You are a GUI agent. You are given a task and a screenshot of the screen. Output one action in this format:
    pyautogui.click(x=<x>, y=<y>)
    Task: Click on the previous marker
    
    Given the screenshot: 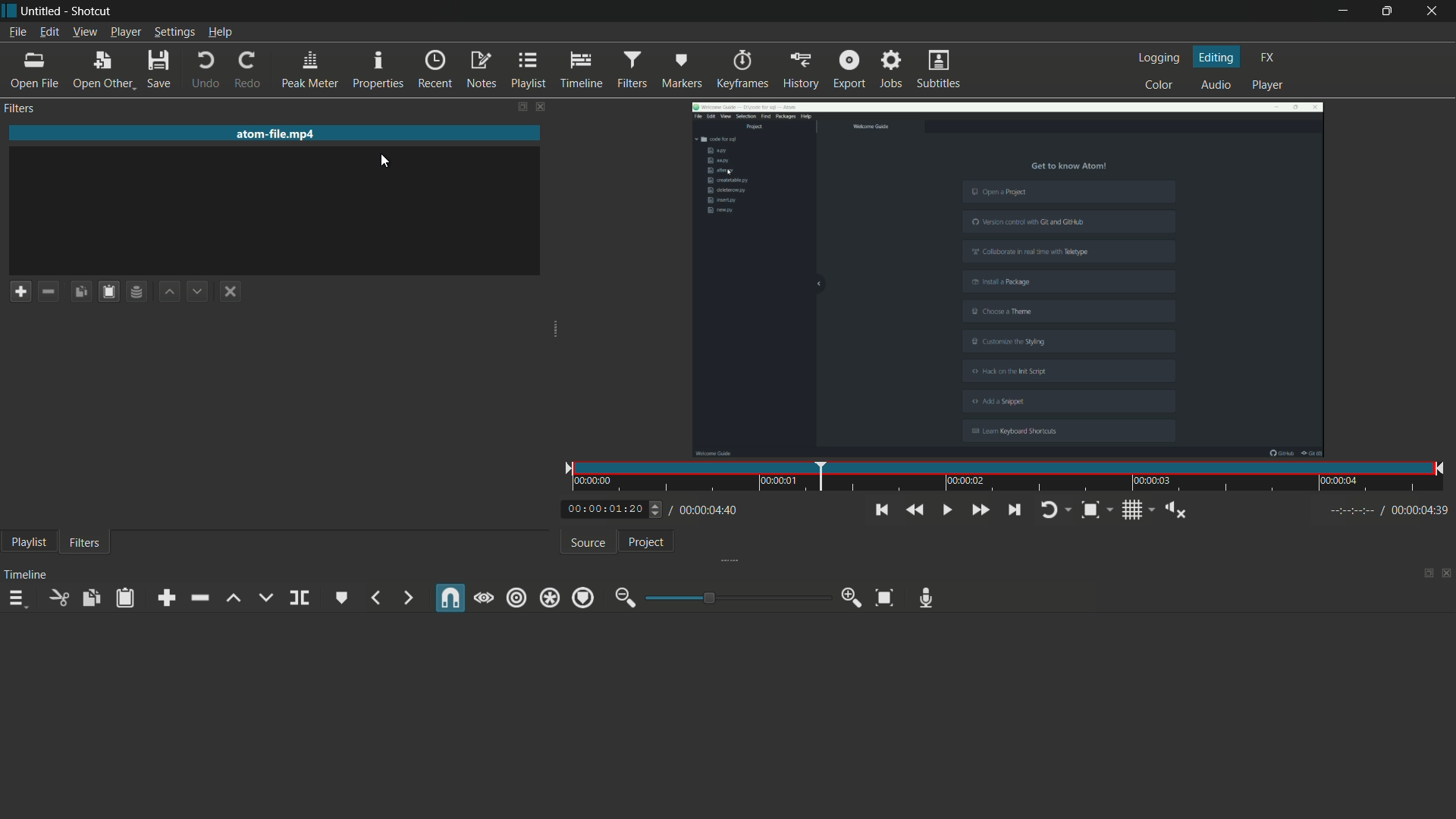 What is the action you would take?
    pyautogui.click(x=378, y=597)
    